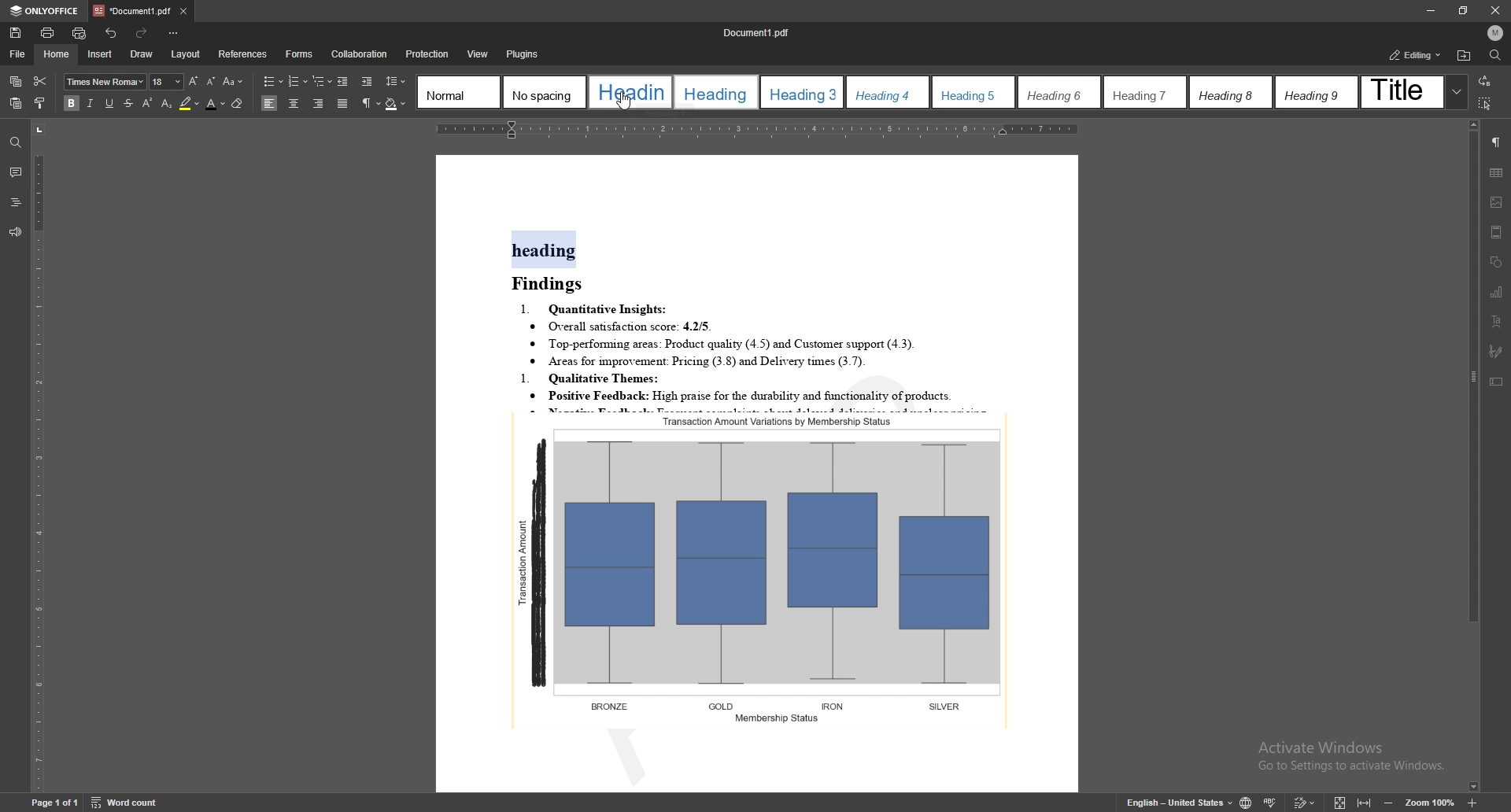 This screenshot has height=812, width=1511. What do you see at coordinates (295, 54) in the screenshot?
I see `Forms` at bounding box center [295, 54].